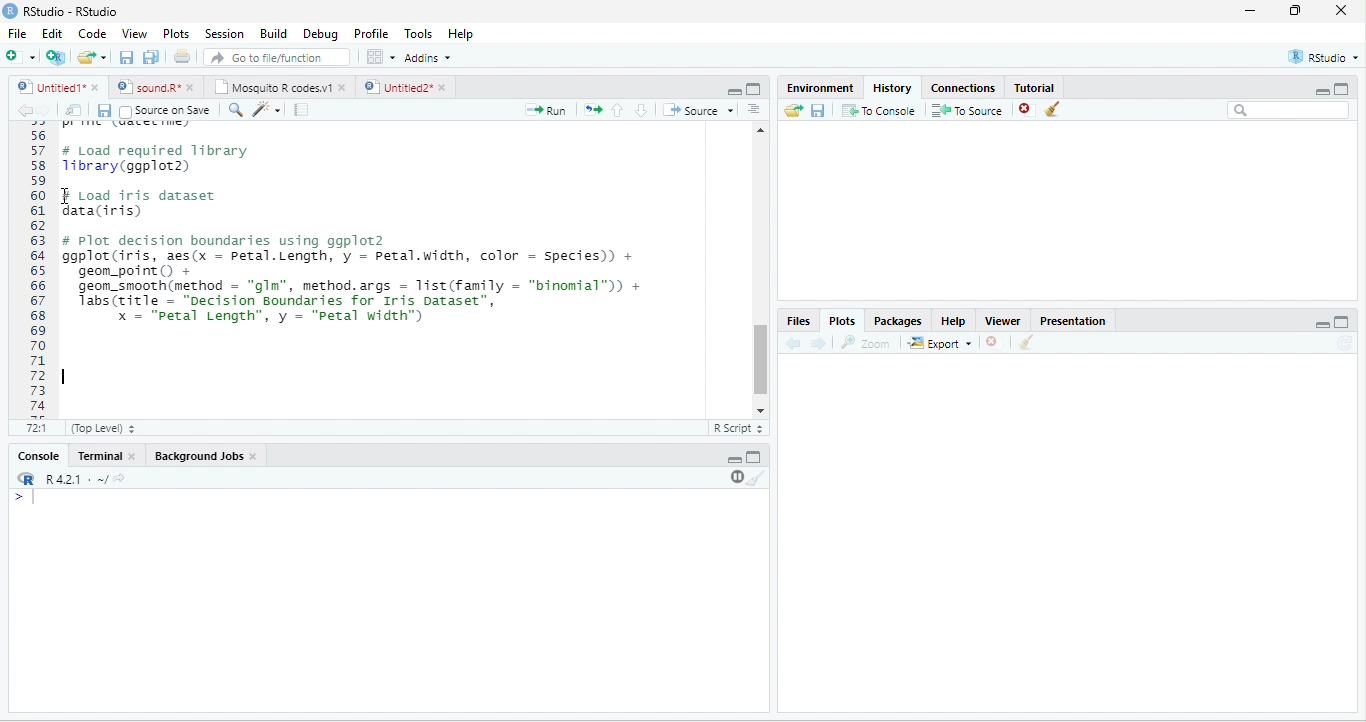 The height and width of the screenshot is (722, 1366). Describe the element at coordinates (991, 342) in the screenshot. I see `close` at that location.